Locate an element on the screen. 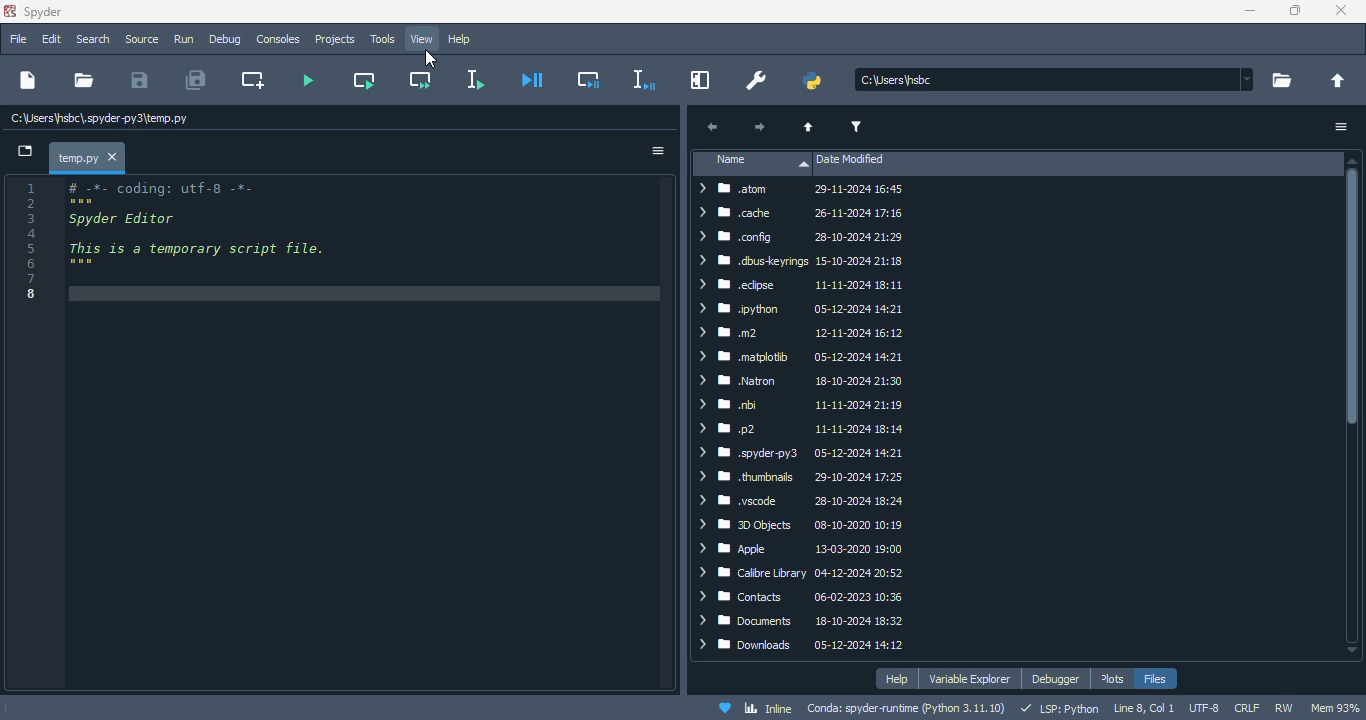 The height and width of the screenshot is (720, 1366). debug selection or current line is located at coordinates (643, 79).